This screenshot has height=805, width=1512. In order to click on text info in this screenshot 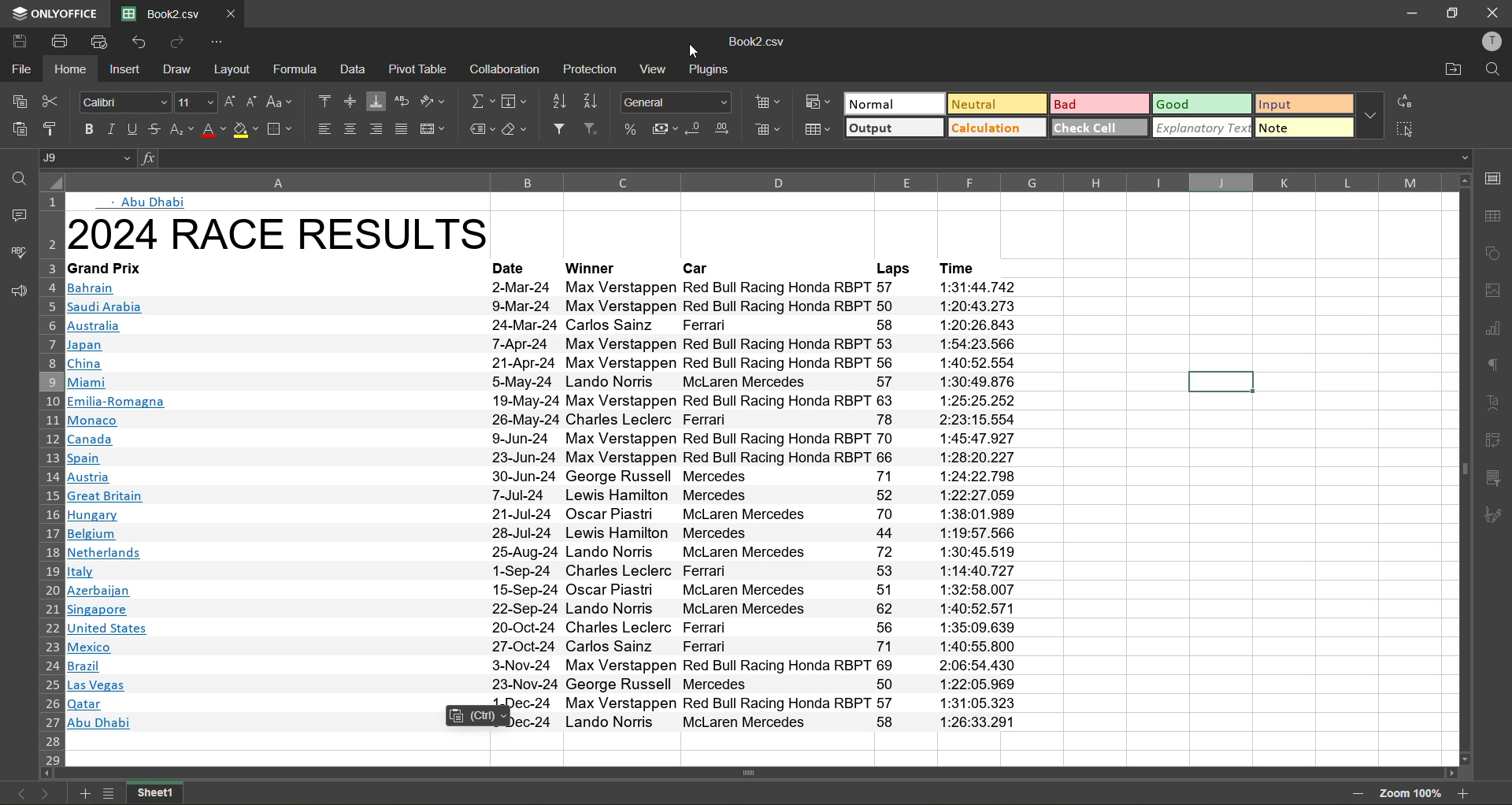, I will do `click(543, 401)`.